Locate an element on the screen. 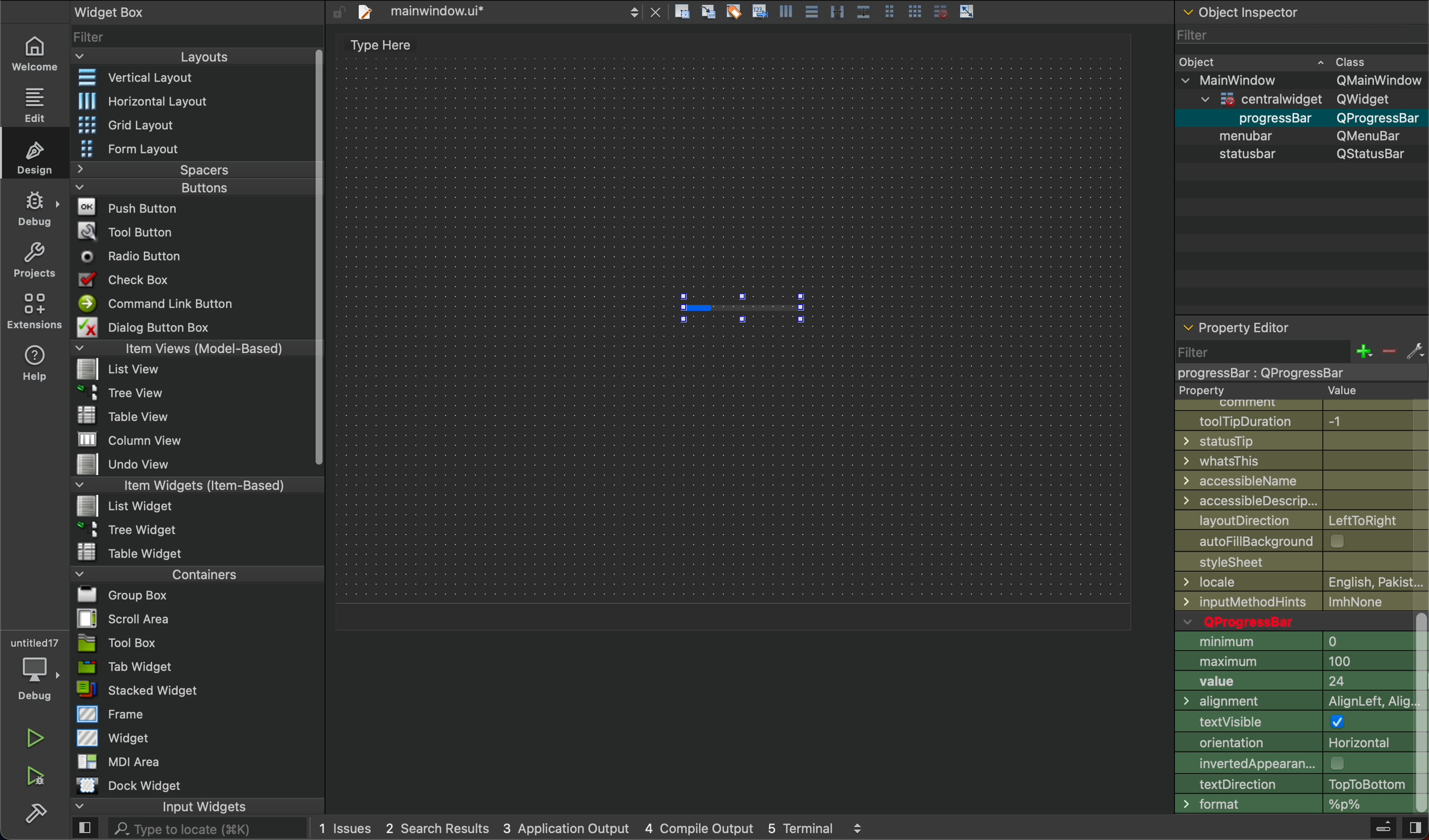  Command button is located at coordinates (161, 303).